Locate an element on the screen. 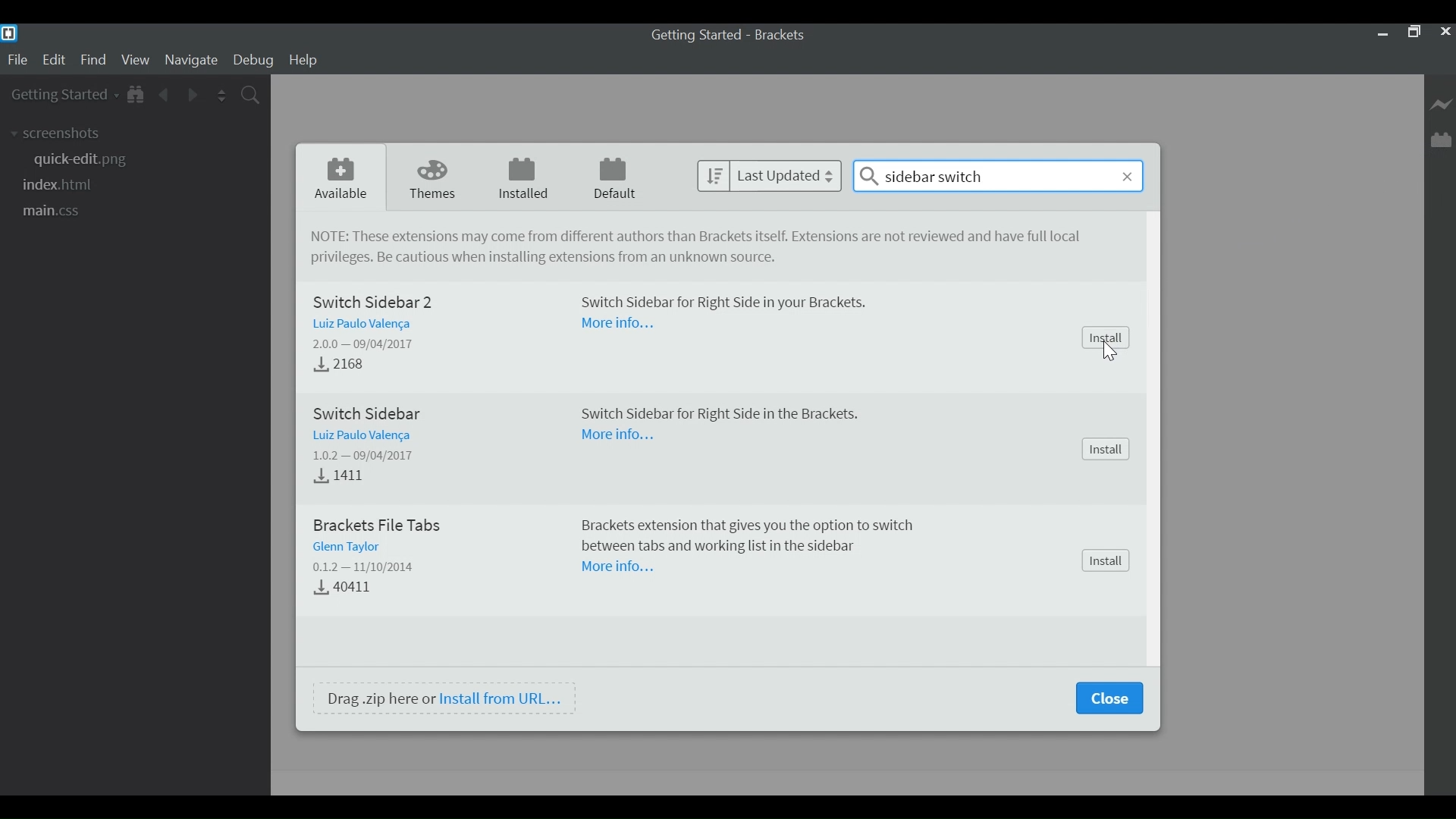 Image resolution: width=1456 pixels, height=819 pixels. Switch Sidebar is located at coordinates (374, 413).